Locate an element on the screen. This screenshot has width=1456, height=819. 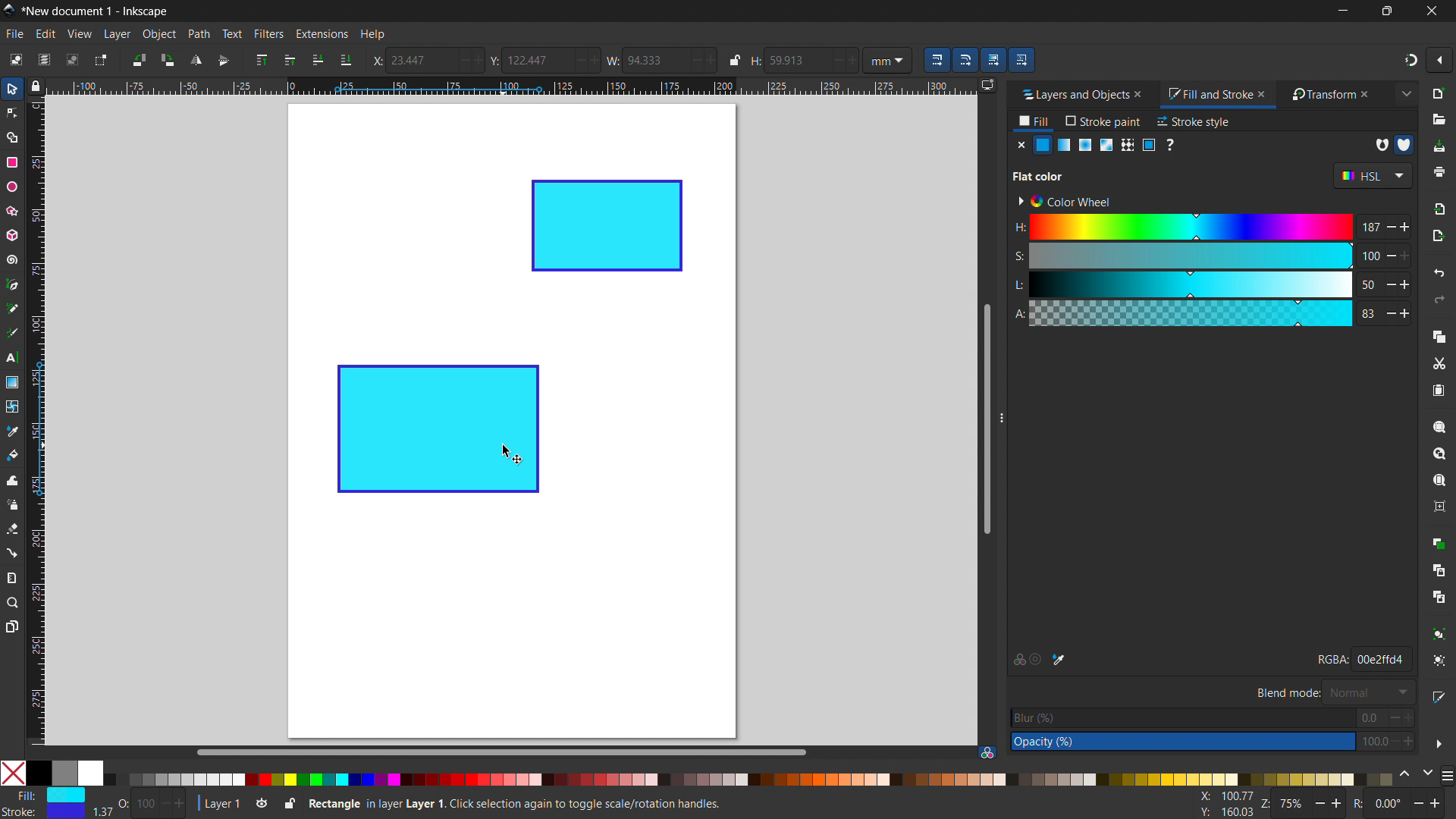
shape builder tool is located at coordinates (10, 136).